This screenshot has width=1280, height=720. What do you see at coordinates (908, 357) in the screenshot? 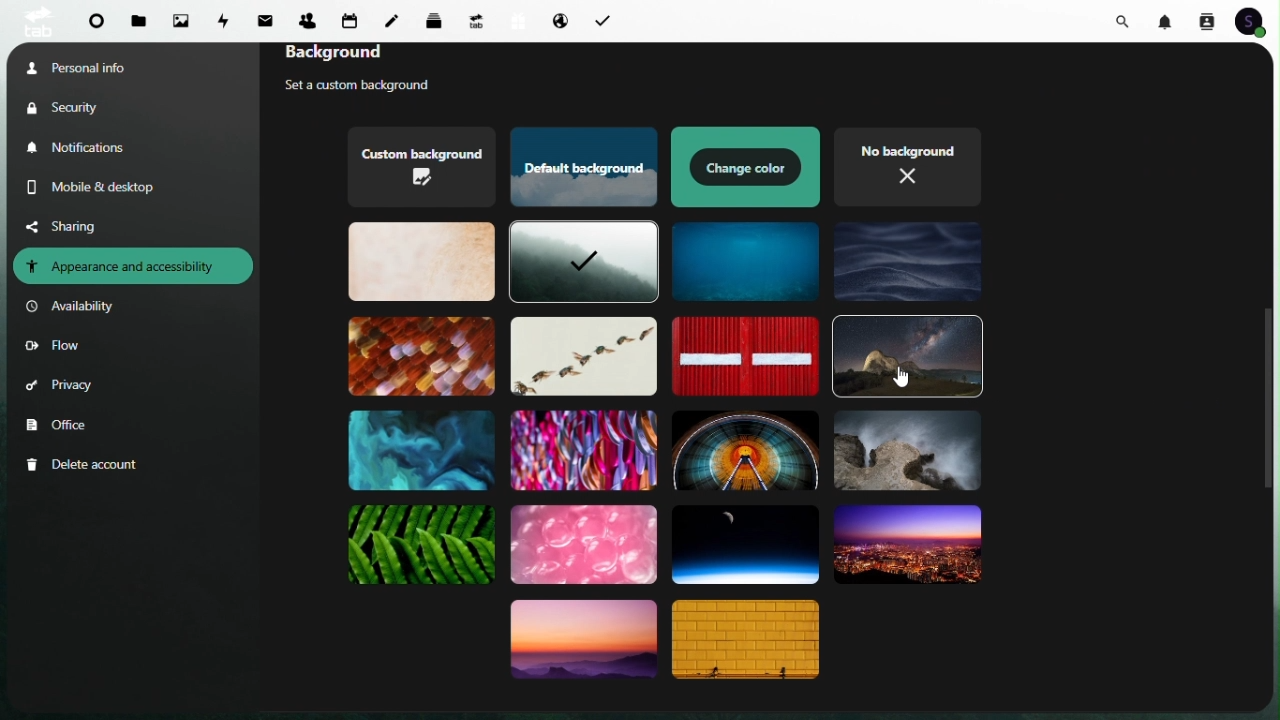
I see `Themes` at bounding box center [908, 357].